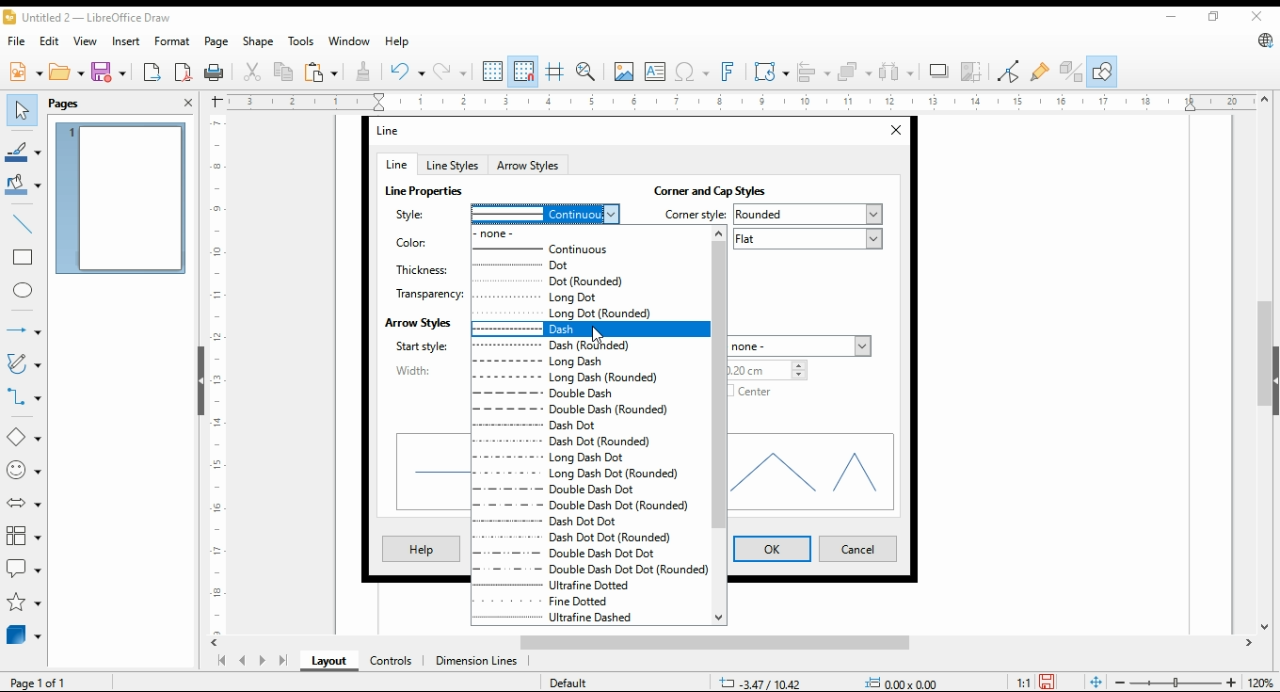 Image resolution: width=1280 pixels, height=692 pixels. Describe the element at coordinates (770, 71) in the screenshot. I see `transformations` at that location.